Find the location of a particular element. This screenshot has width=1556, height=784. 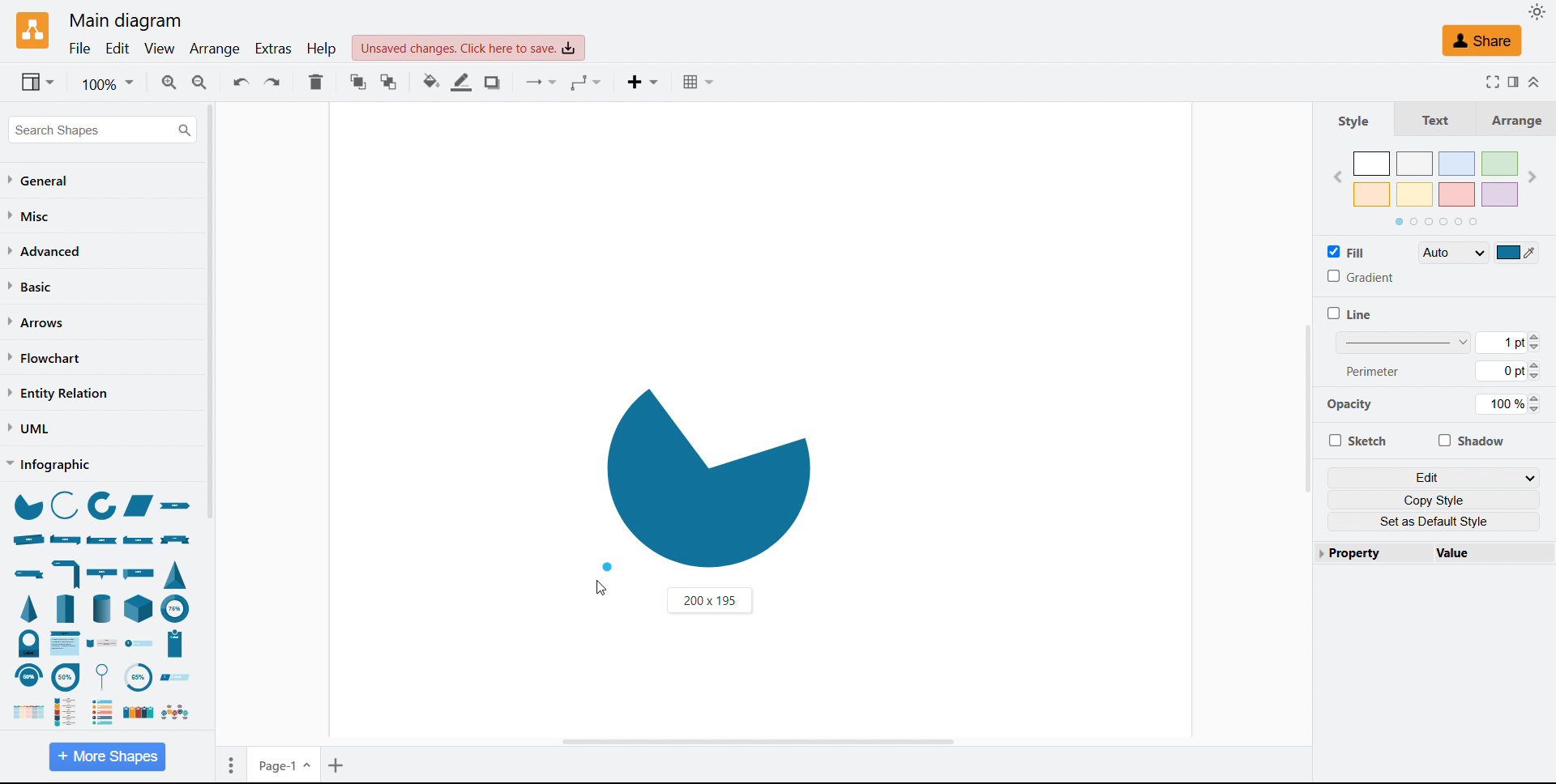

Fill colour  is located at coordinates (432, 82).